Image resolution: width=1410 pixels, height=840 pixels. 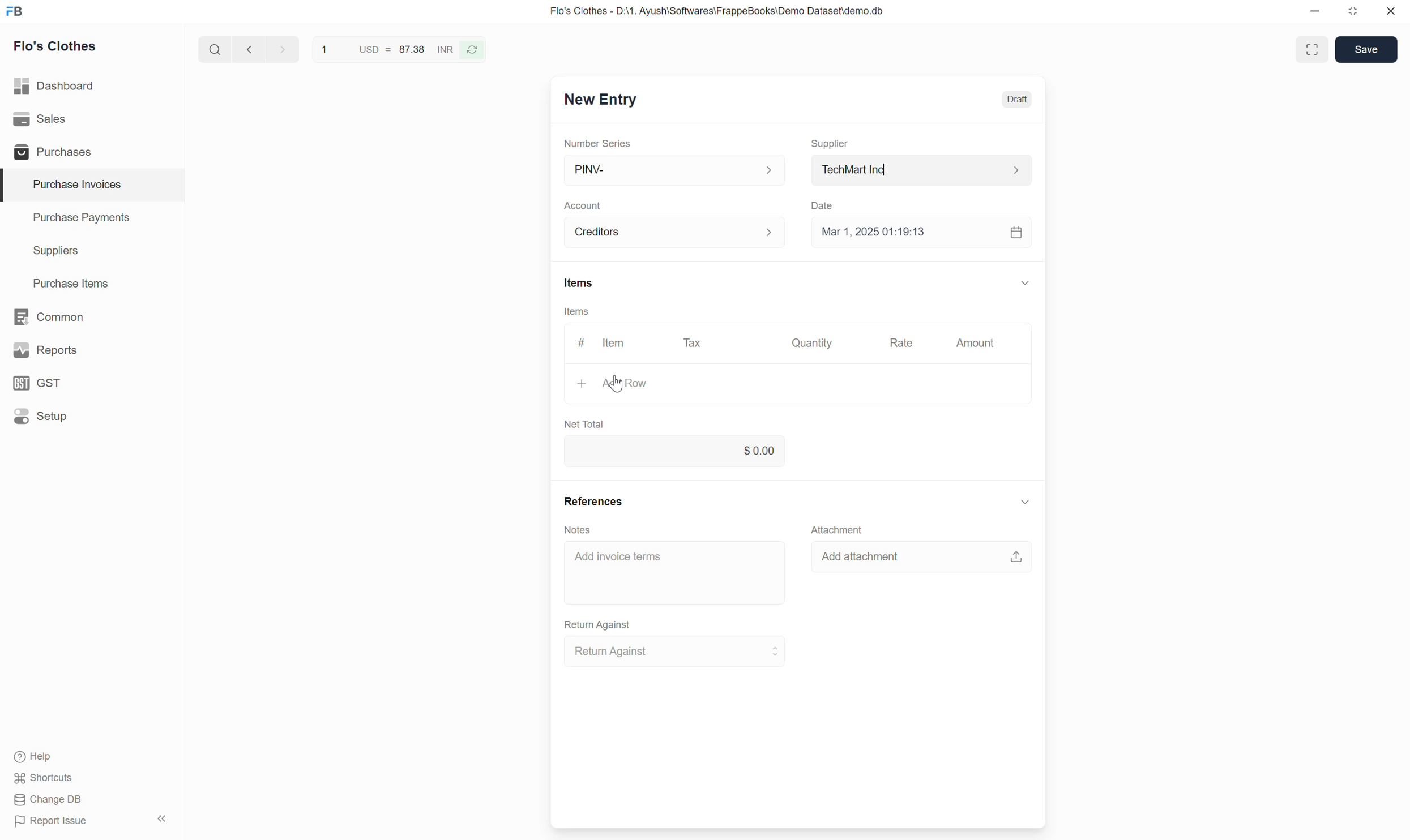 I want to click on Purchase Invoices, so click(x=70, y=185).